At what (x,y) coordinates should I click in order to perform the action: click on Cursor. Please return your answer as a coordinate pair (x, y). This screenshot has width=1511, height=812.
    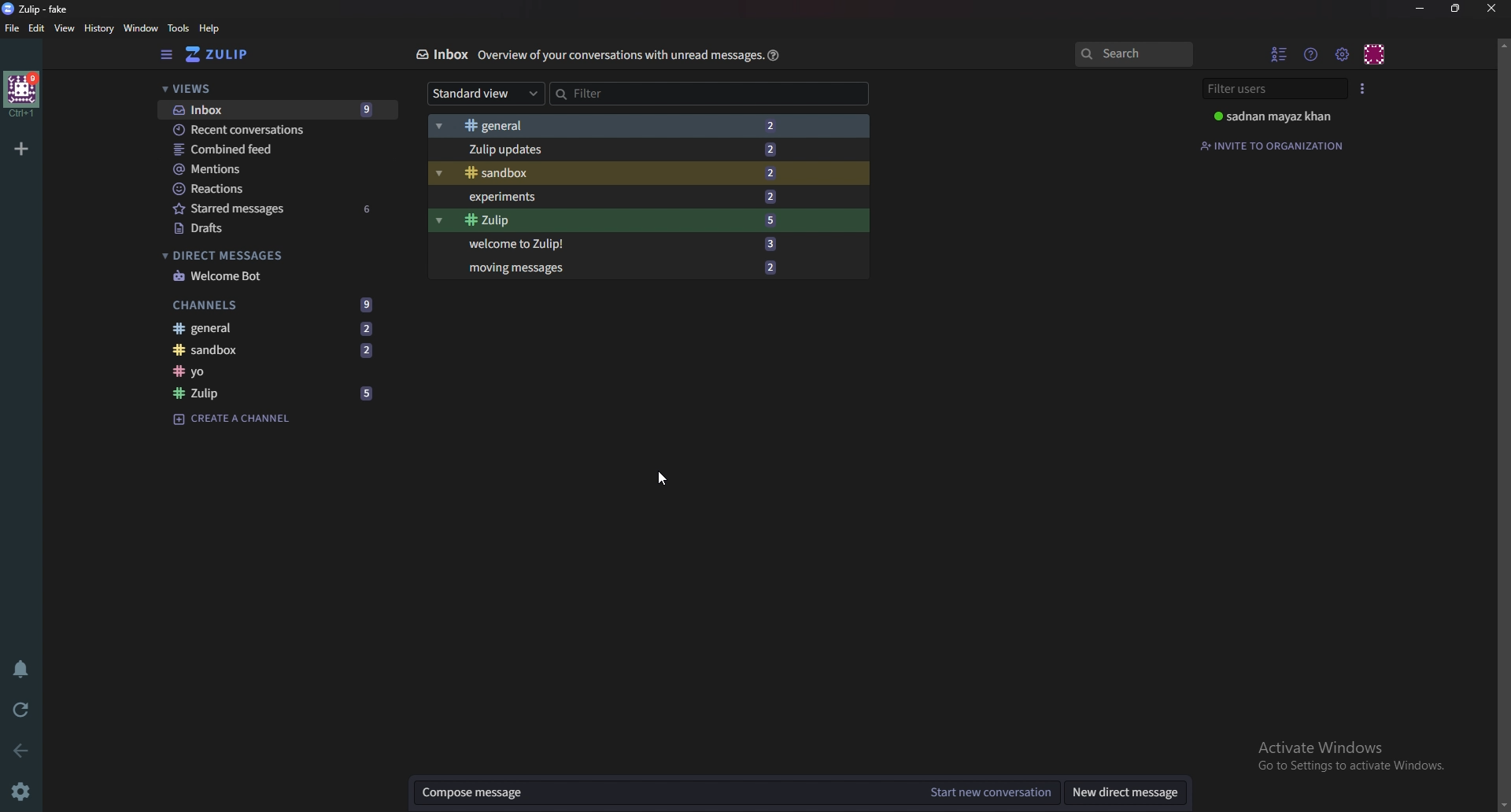
    Looking at the image, I should click on (663, 480).